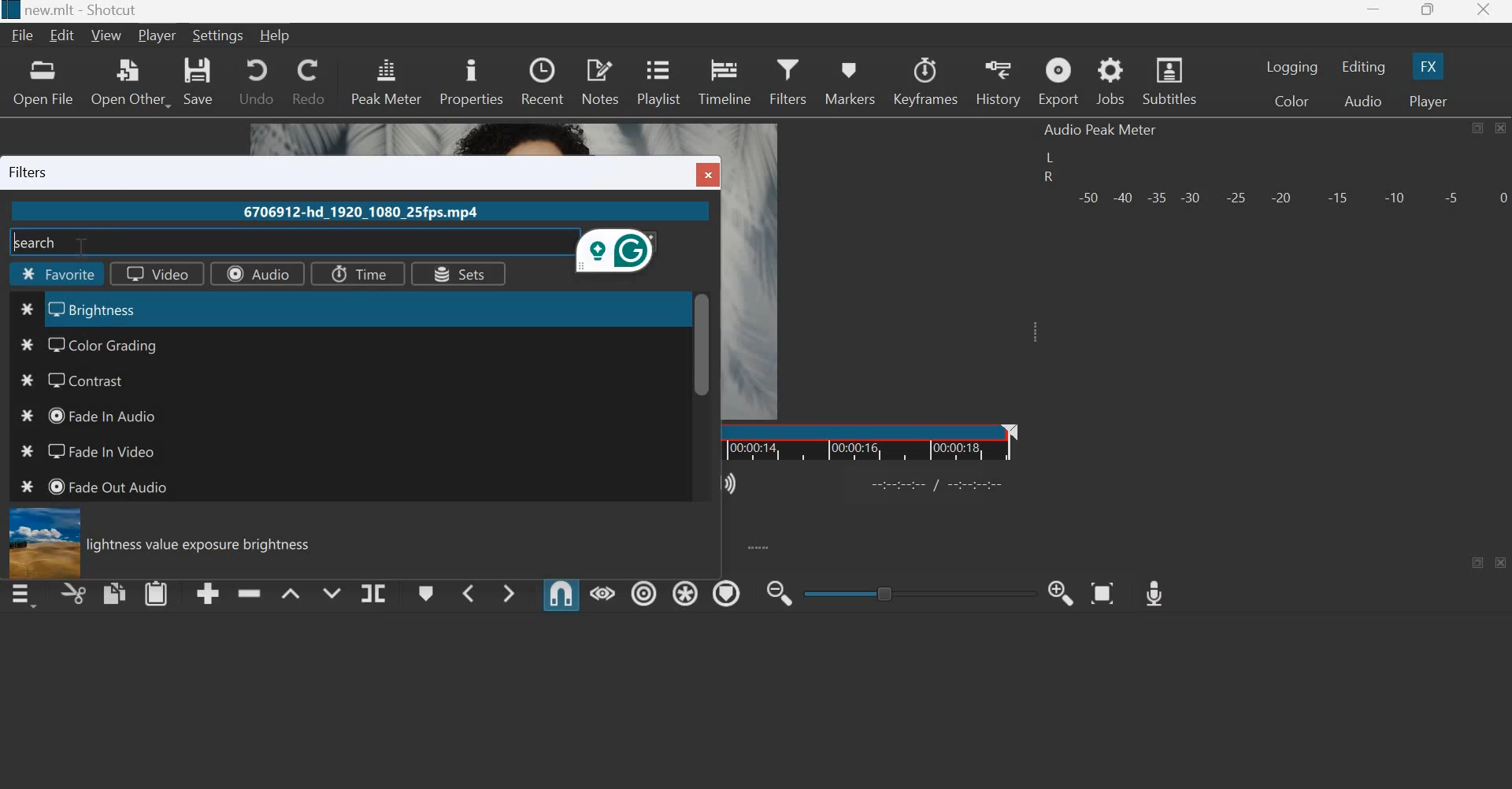  What do you see at coordinates (1172, 80) in the screenshot?
I see `Subtitles` at bounding box center [1172, 80].